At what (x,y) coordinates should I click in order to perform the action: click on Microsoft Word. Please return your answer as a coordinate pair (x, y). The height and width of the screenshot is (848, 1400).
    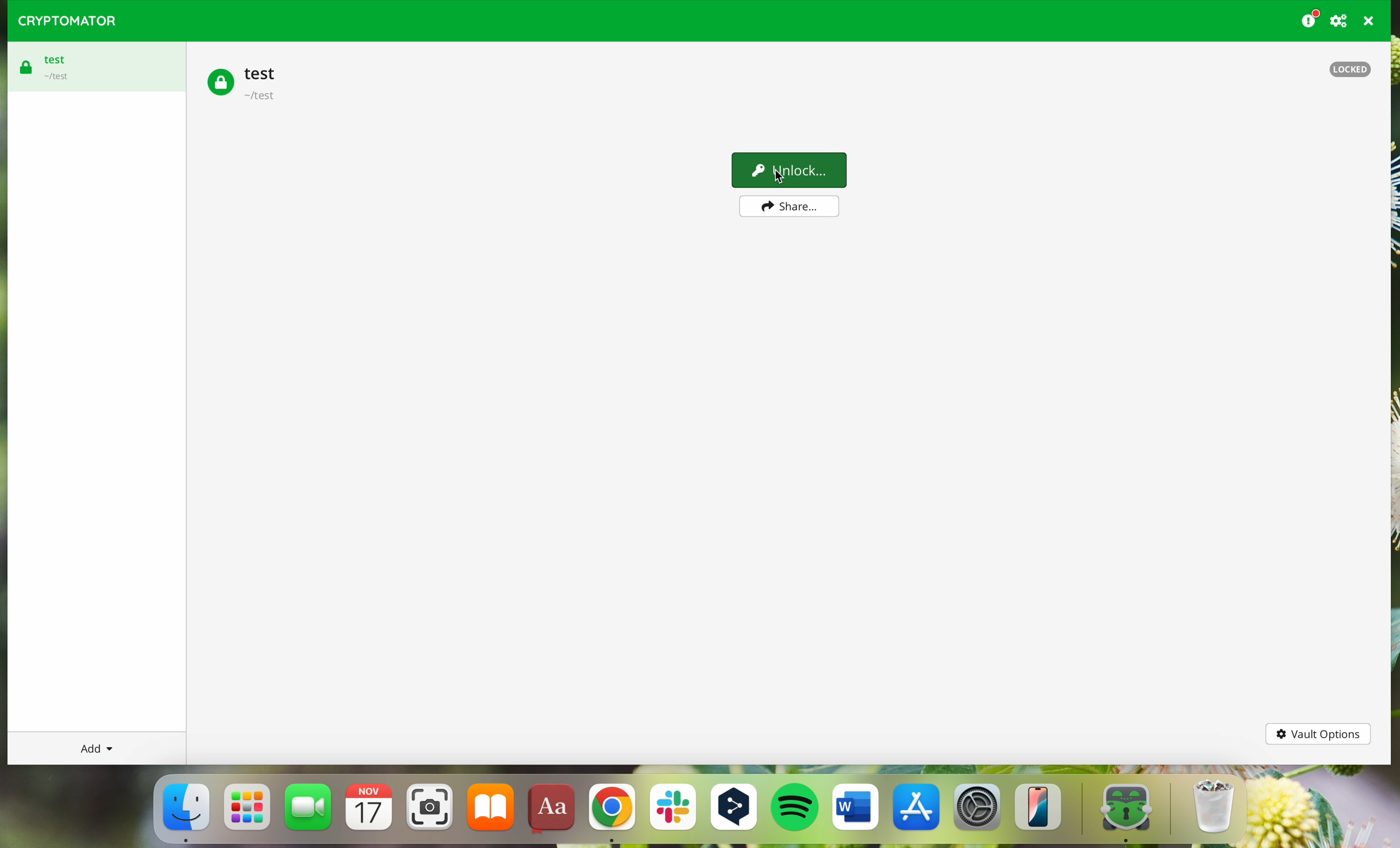
    Looking at the image, I should click on (856, 811).